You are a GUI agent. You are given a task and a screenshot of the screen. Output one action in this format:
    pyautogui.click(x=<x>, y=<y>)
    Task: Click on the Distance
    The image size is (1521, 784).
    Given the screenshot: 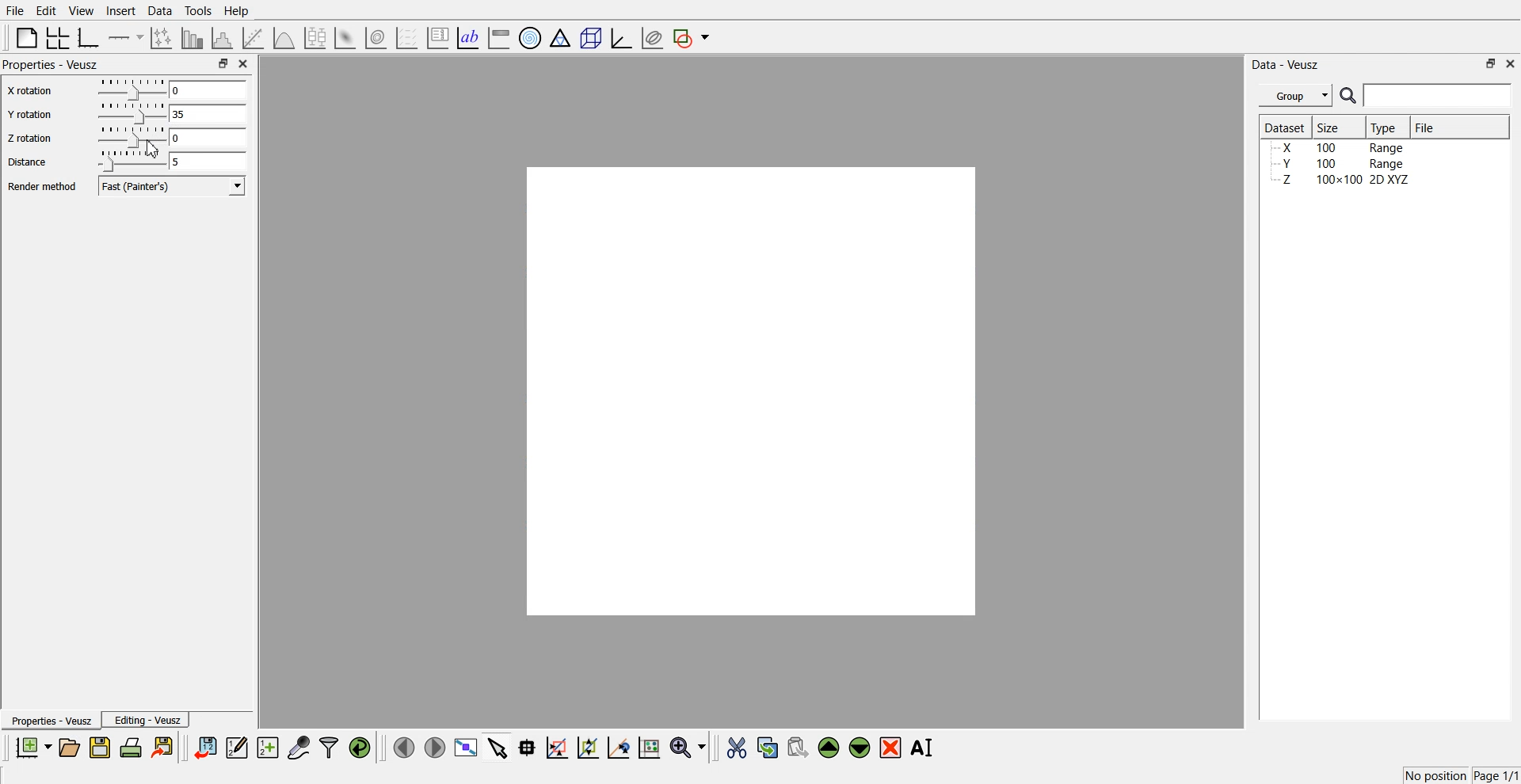 What is the action you would take?
    pyautogui.click(x=27, y=162)
    